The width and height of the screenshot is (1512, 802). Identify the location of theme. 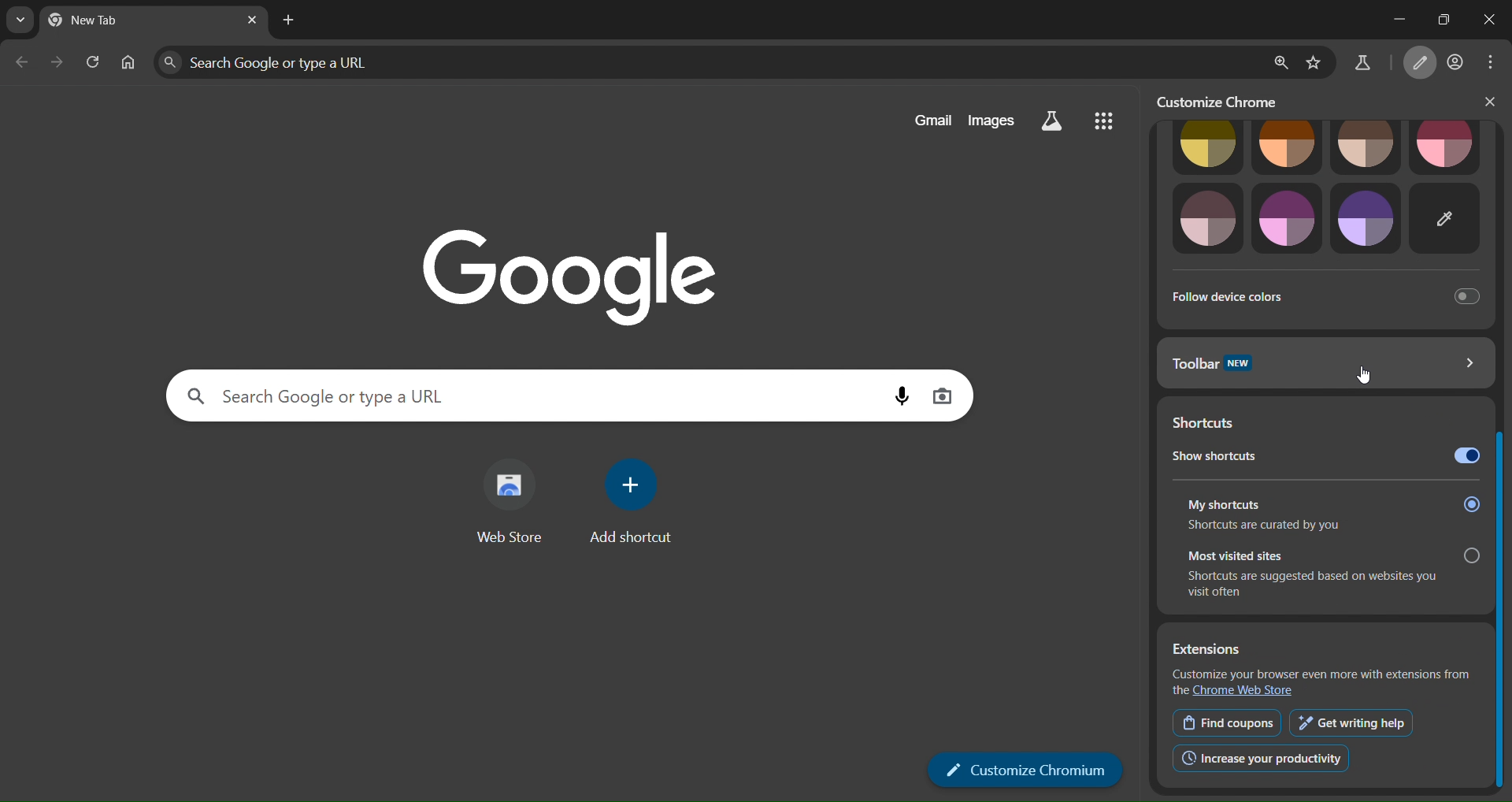
(1288, 219).